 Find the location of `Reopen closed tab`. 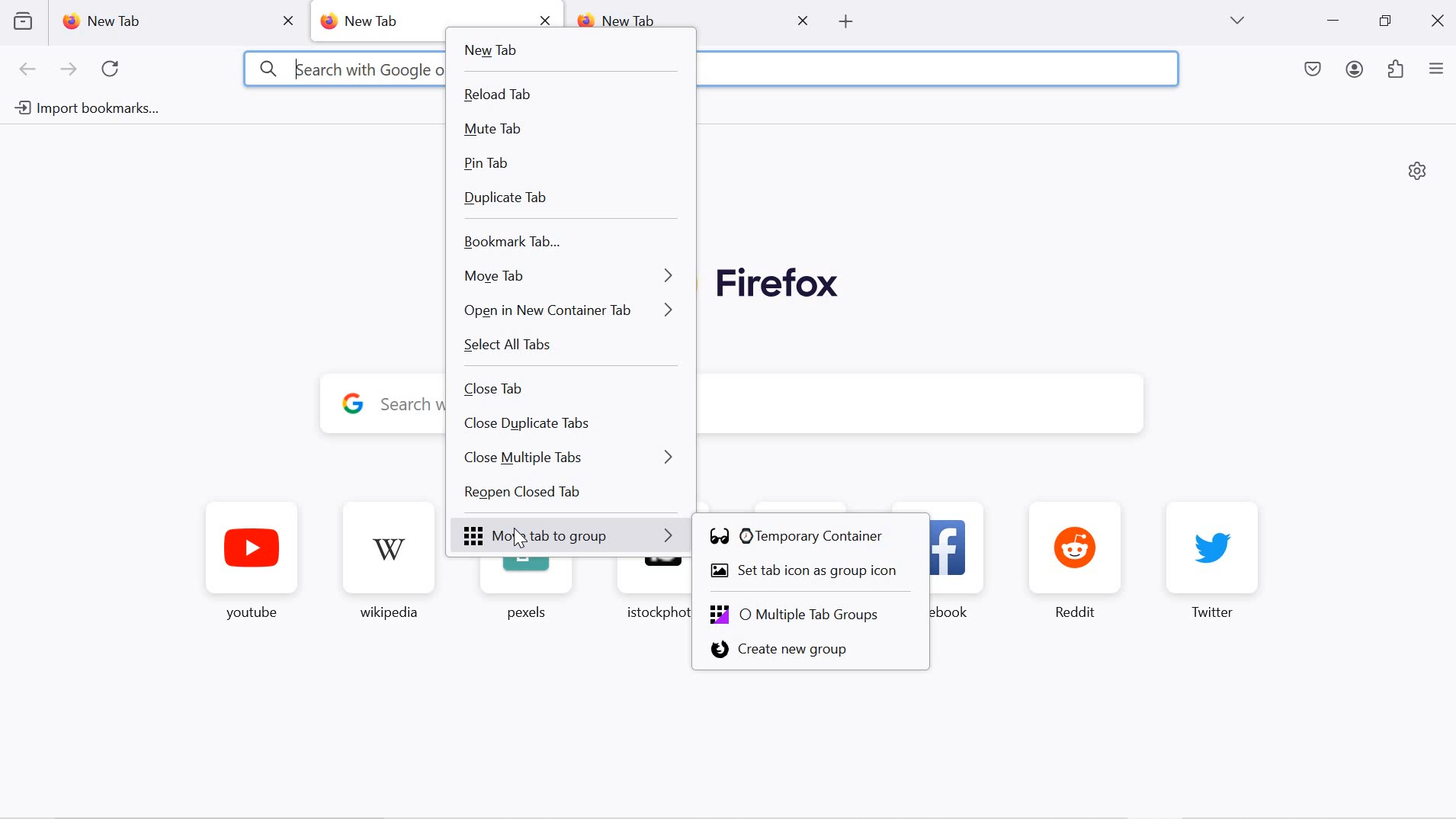

Reopen closed tab is located at coordinates (573, 495).